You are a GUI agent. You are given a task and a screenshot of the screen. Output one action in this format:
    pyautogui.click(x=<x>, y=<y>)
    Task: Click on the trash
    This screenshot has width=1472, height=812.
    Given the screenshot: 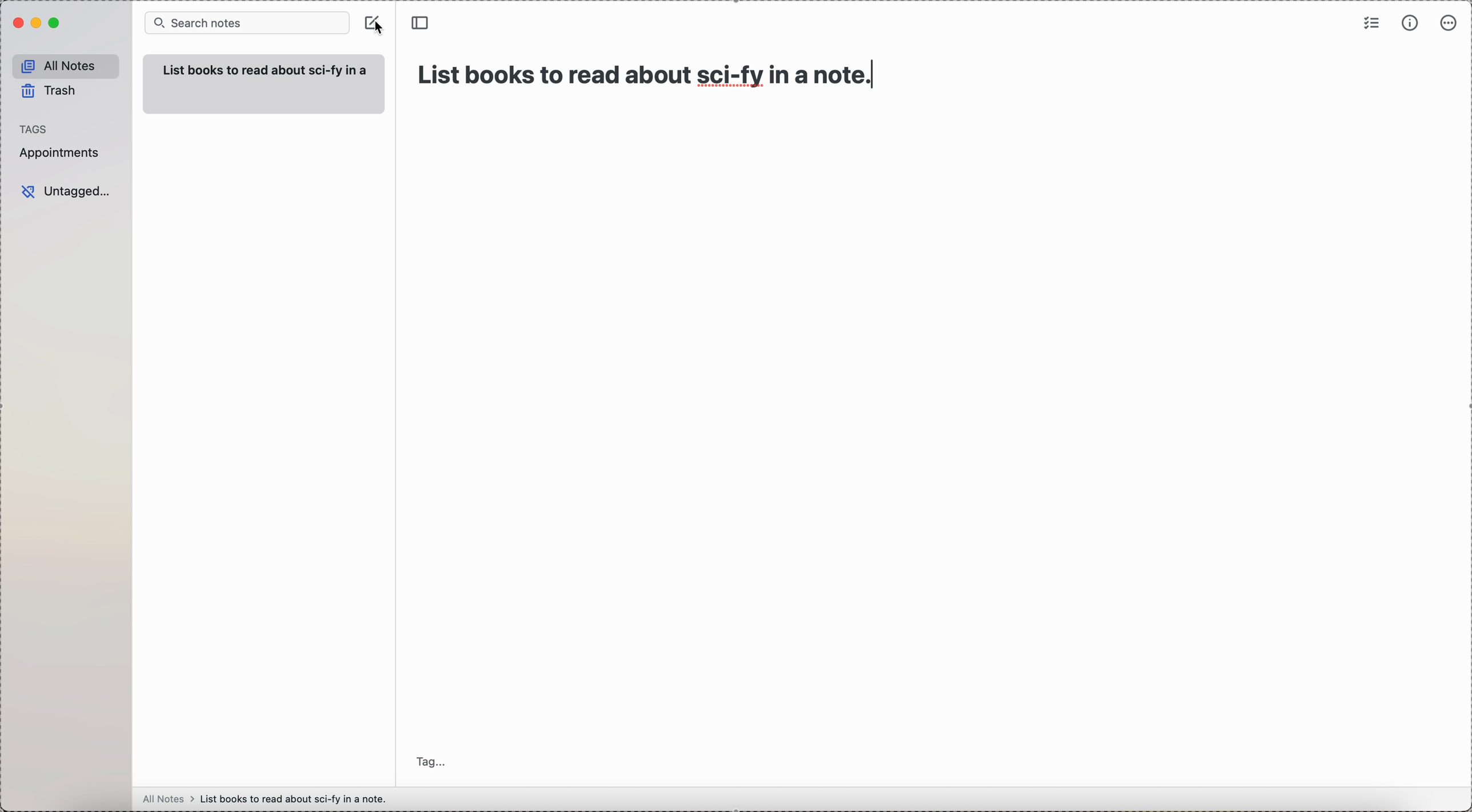 What is the action you would take?
    pyautogui.click(x=50, y=91)
    